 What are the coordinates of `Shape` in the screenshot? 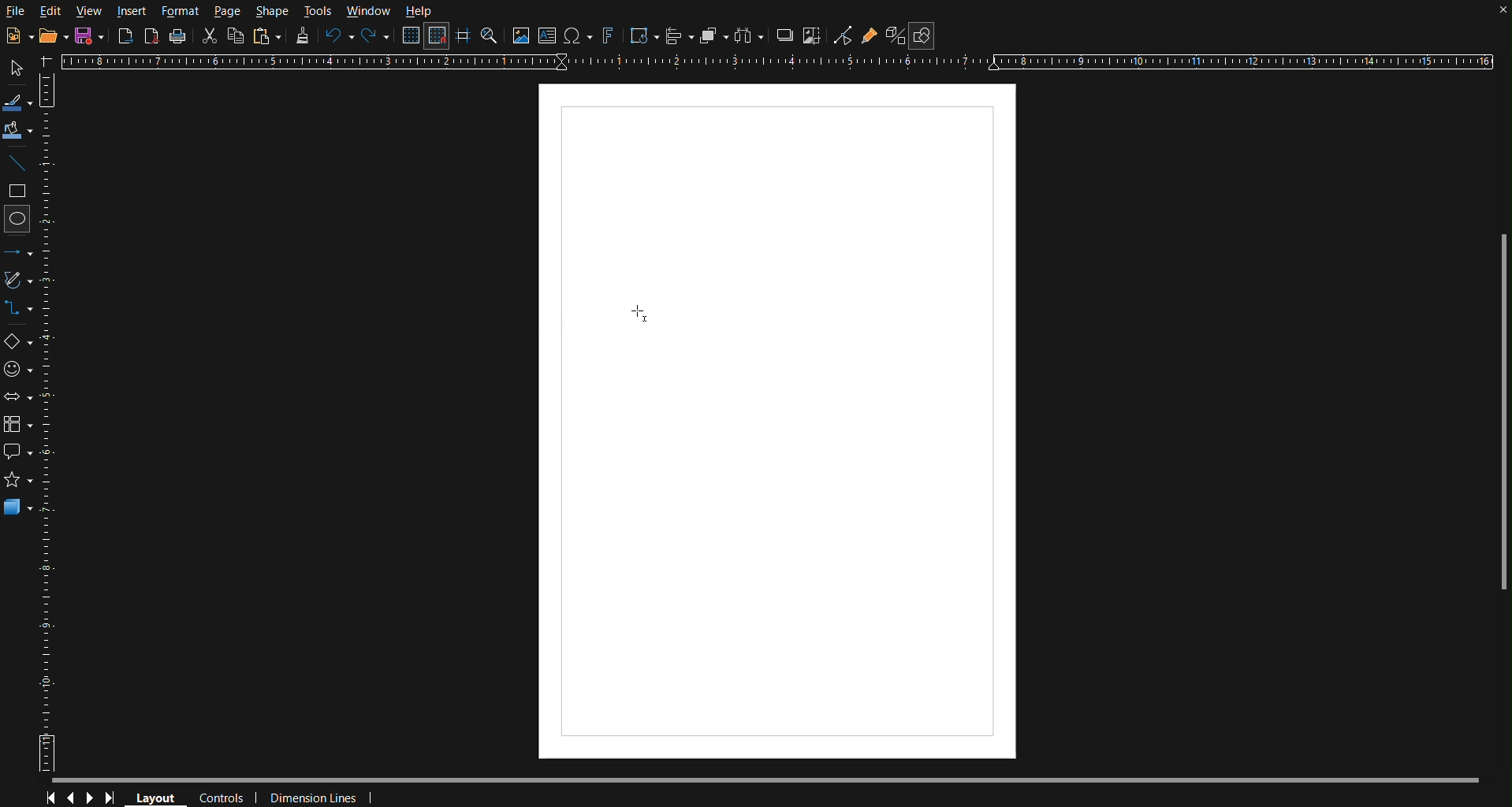 It's located at (272, 12).